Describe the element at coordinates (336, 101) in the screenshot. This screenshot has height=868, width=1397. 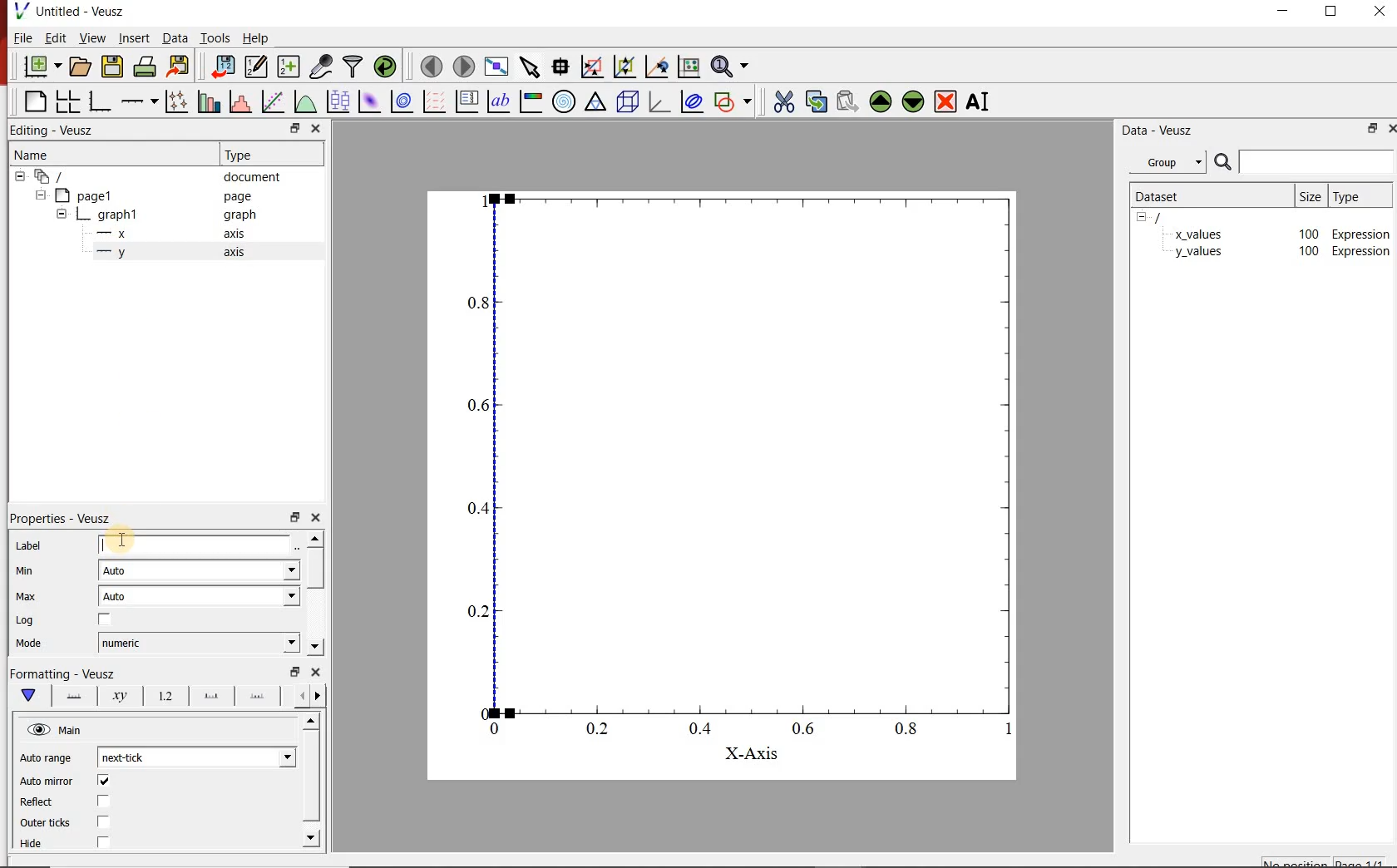
I see `plot box plots` at that location.